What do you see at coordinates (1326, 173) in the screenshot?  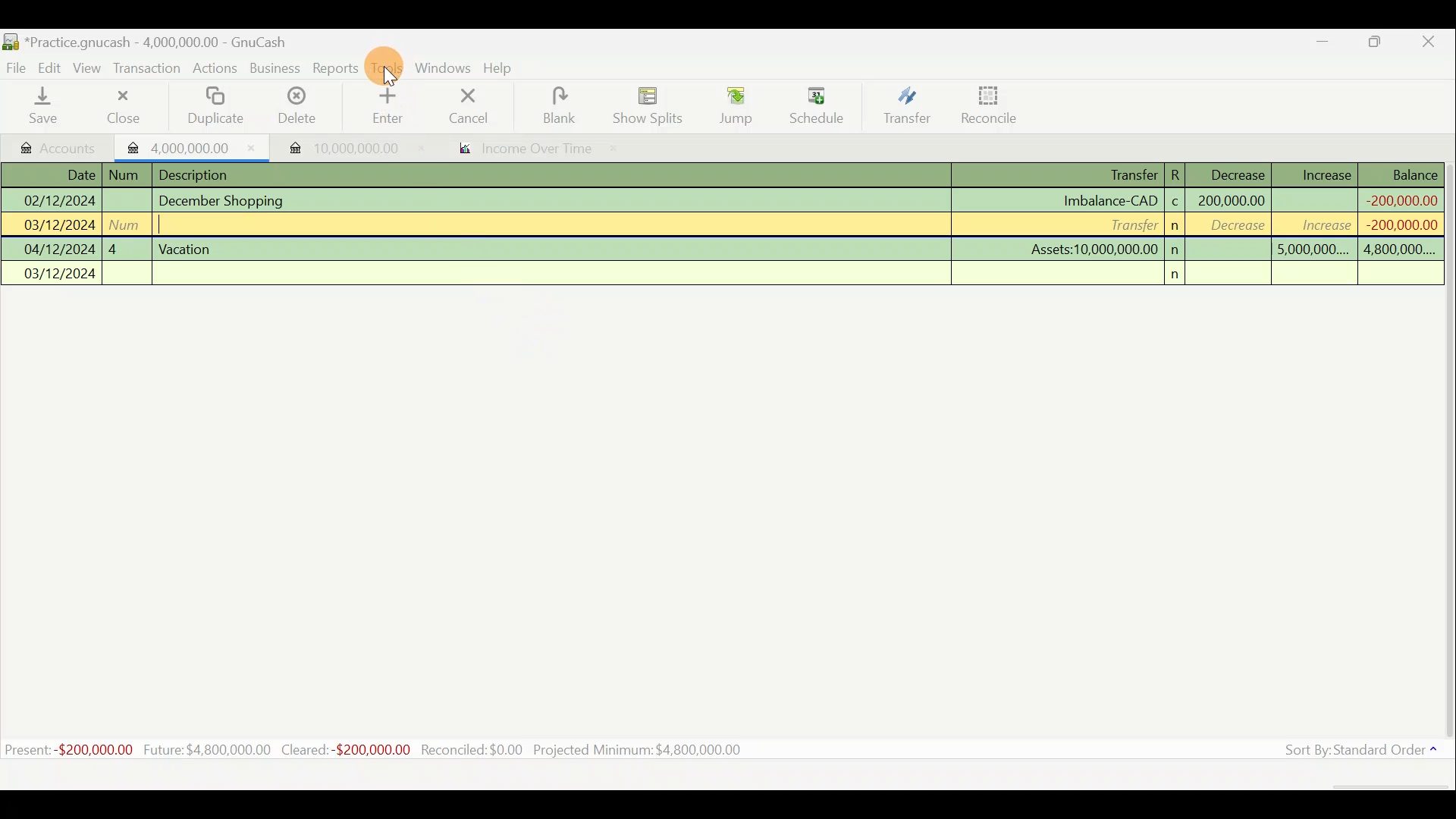 I see `Increase` at bounding box center [1326, 173].